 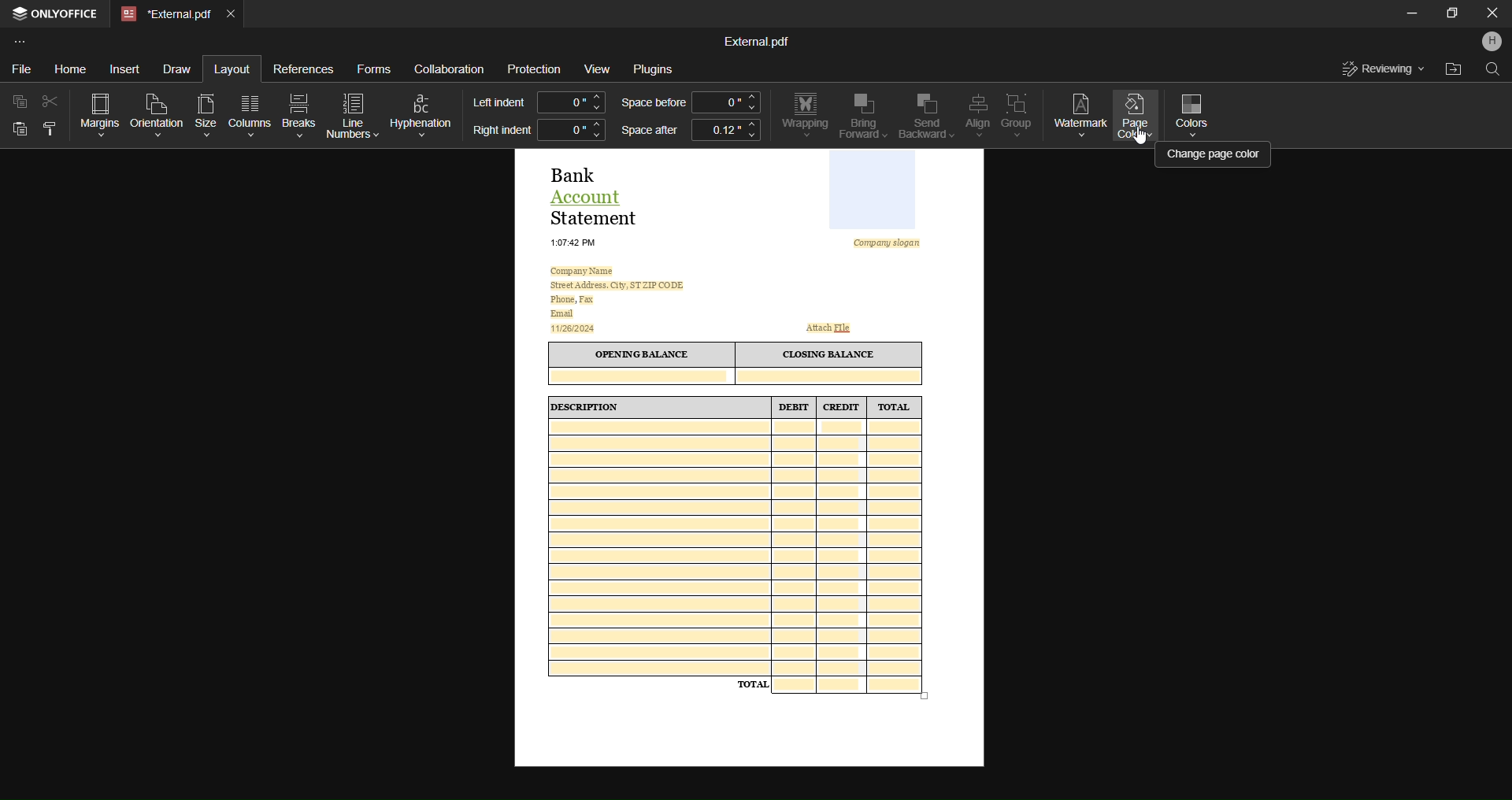 I want to click on Copy, so click(x=17, y=102).